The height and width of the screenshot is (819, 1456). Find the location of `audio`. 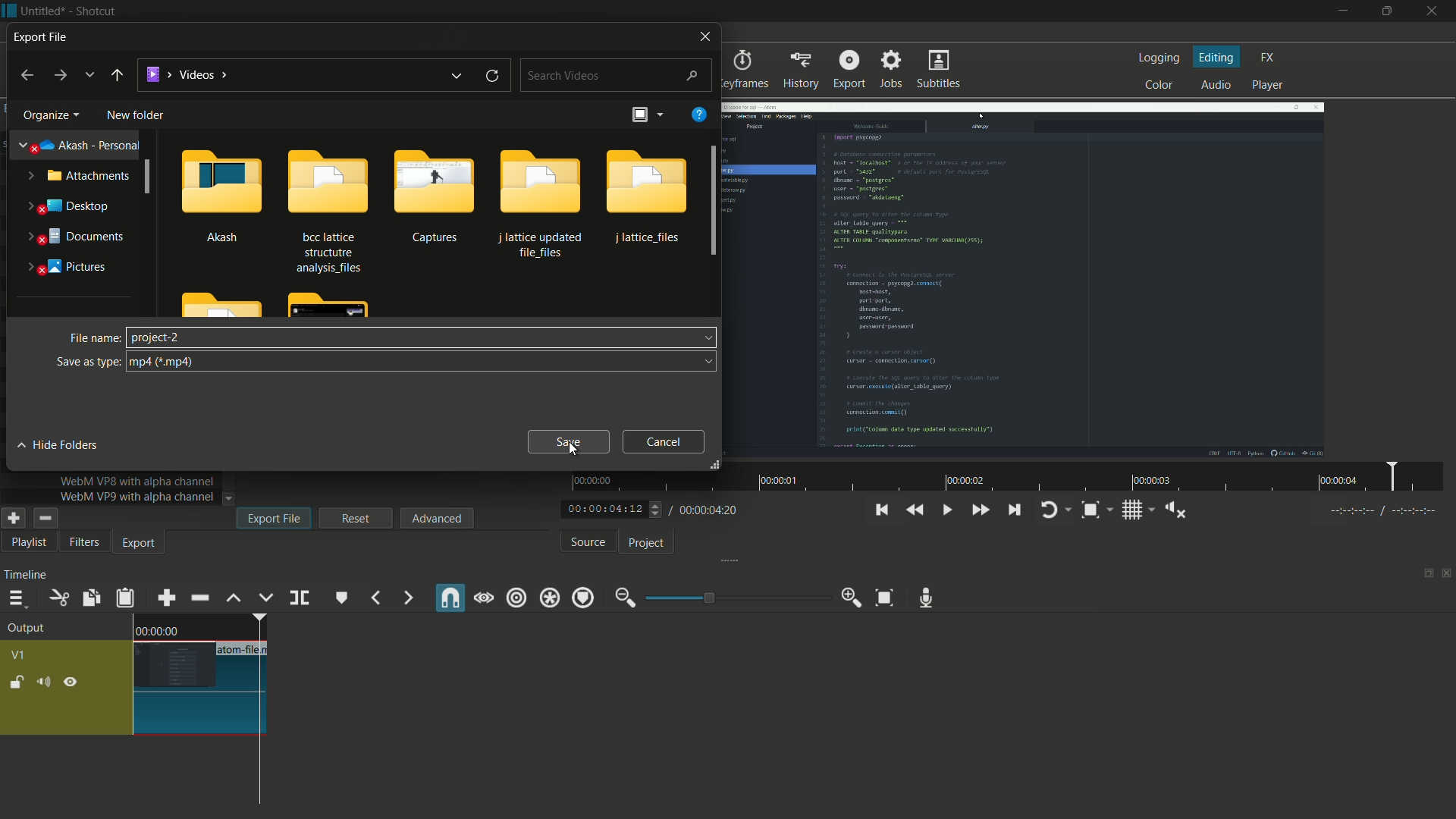

audio is located at coordinates (1216, 85).